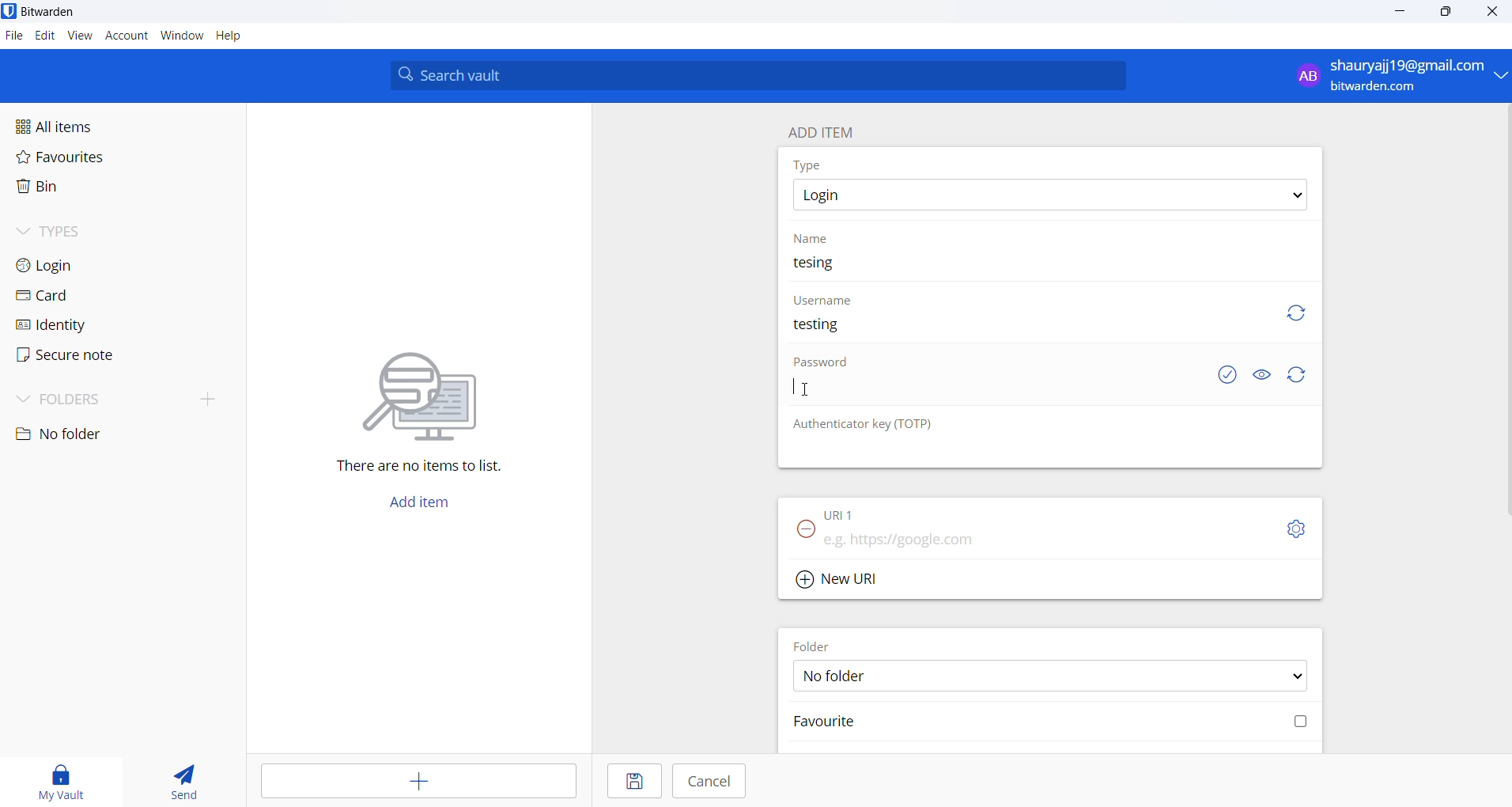 The height and width of the screenshot is (807, 1512). Describe the element at coordinates (127, 37) in the screenshot. I see `account` at that location.